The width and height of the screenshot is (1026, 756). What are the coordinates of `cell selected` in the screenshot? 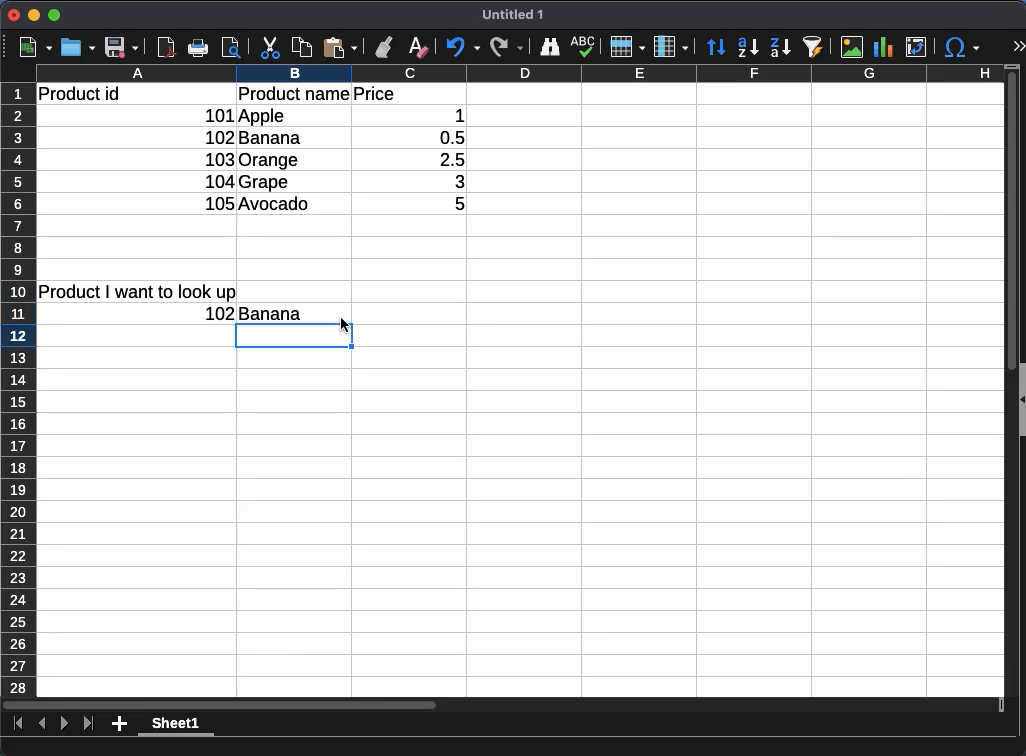 It's located at (294, 336).